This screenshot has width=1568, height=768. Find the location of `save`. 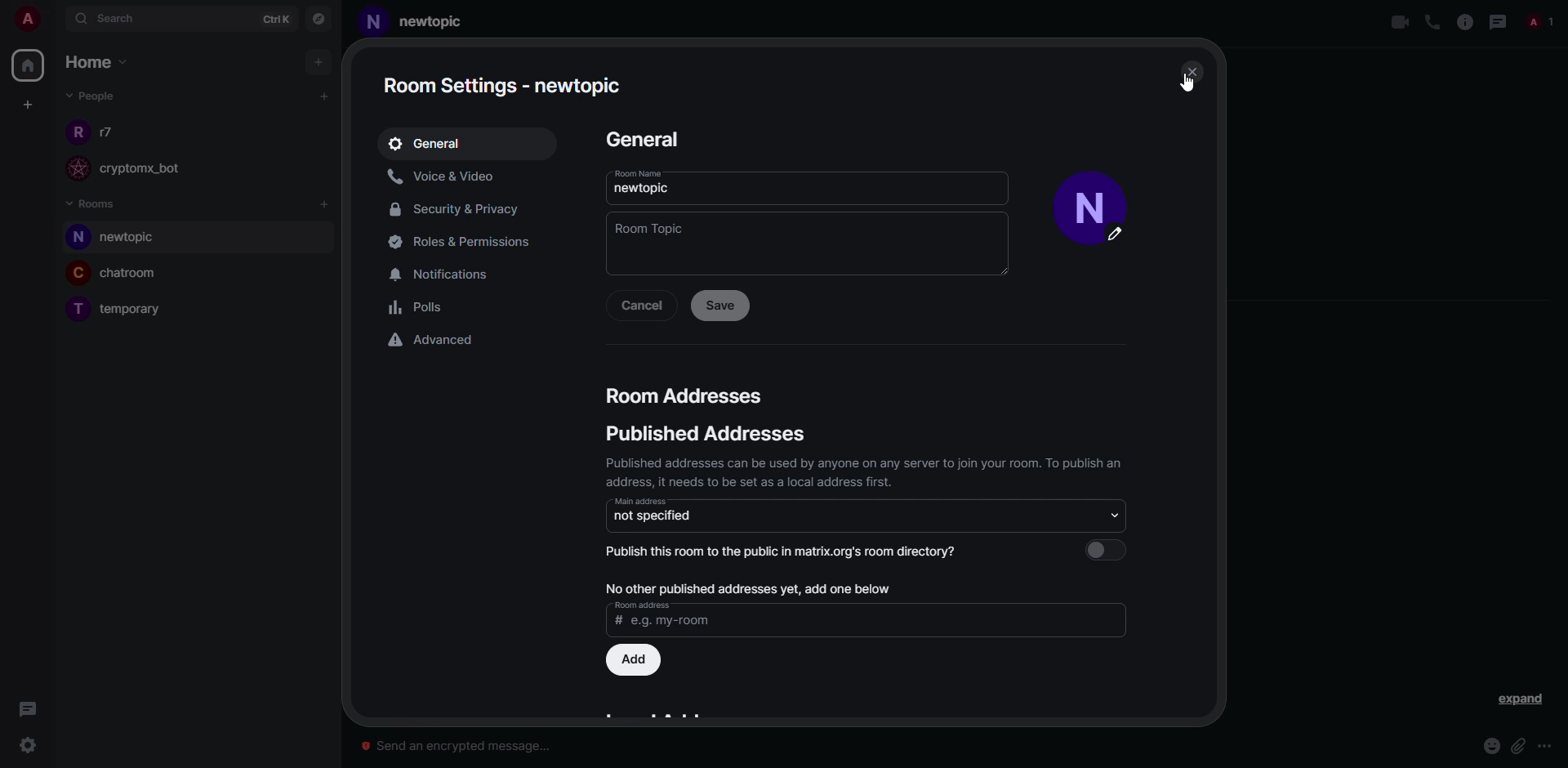

save is located at coordinates (719, 305).